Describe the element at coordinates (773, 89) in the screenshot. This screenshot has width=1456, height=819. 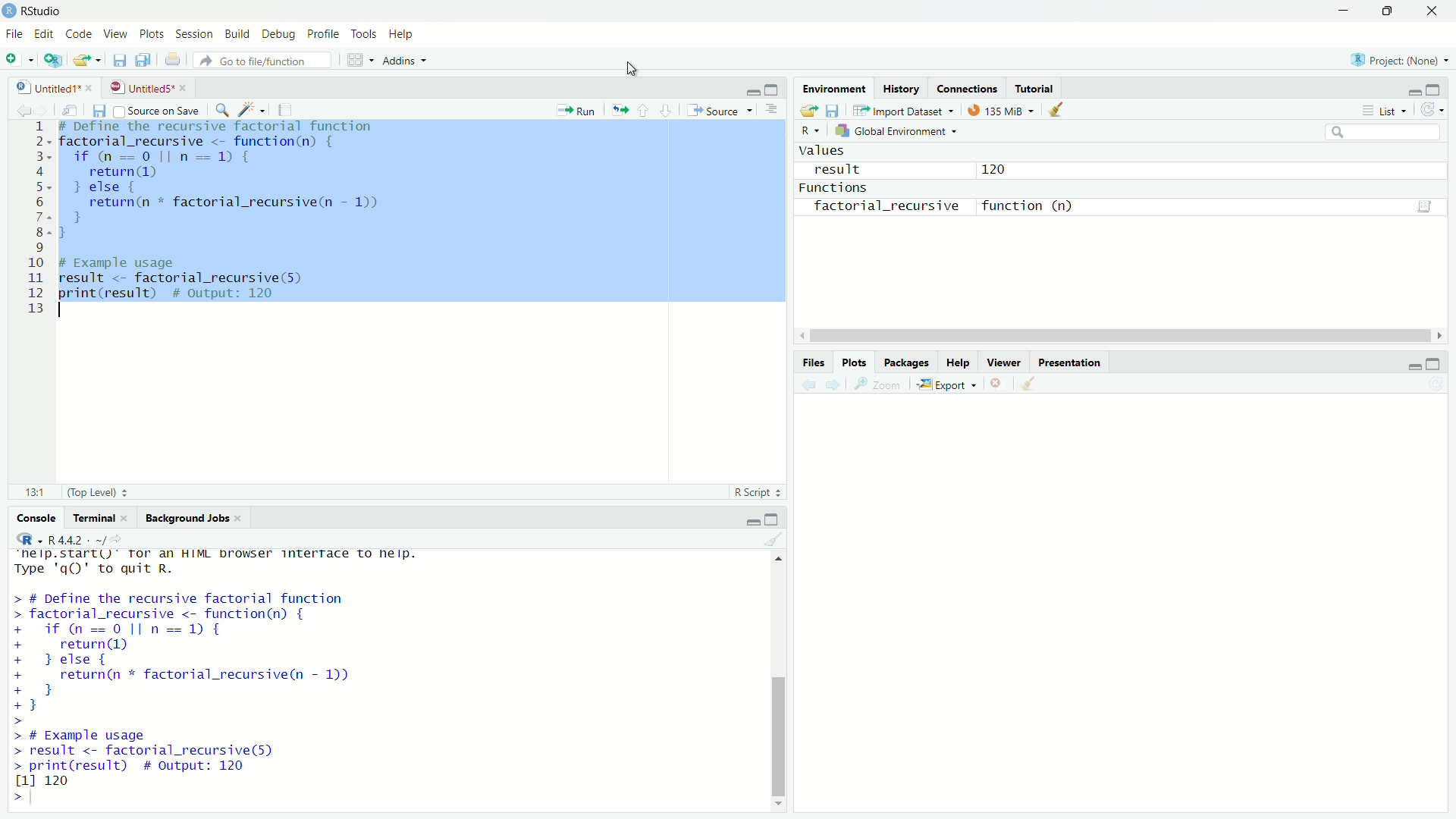
I see `Maximize` at that location.